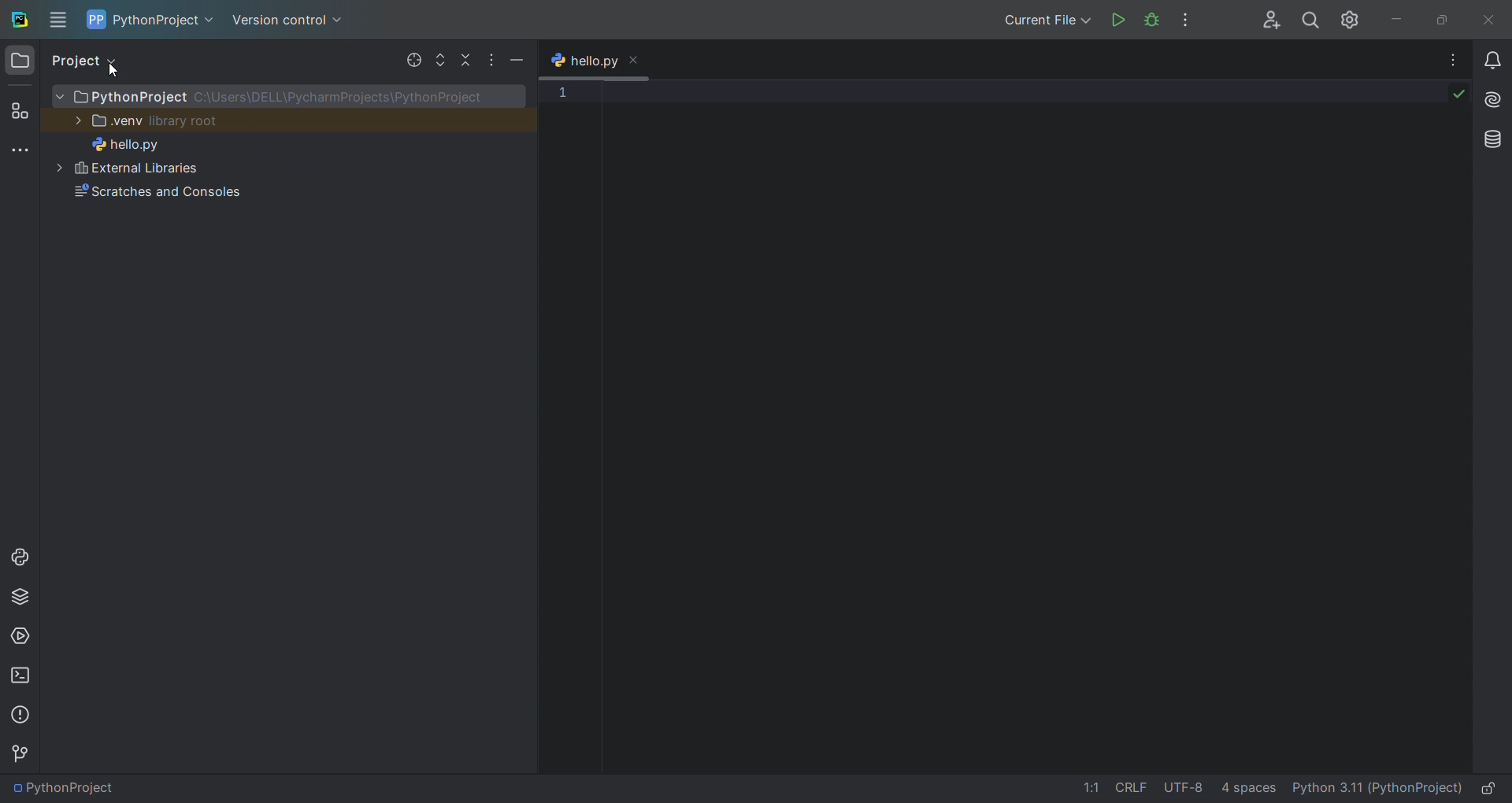  What do you see at coordinates (464, 59) in the screenshot?
I see `collapse` at bounding box center [464, 59].